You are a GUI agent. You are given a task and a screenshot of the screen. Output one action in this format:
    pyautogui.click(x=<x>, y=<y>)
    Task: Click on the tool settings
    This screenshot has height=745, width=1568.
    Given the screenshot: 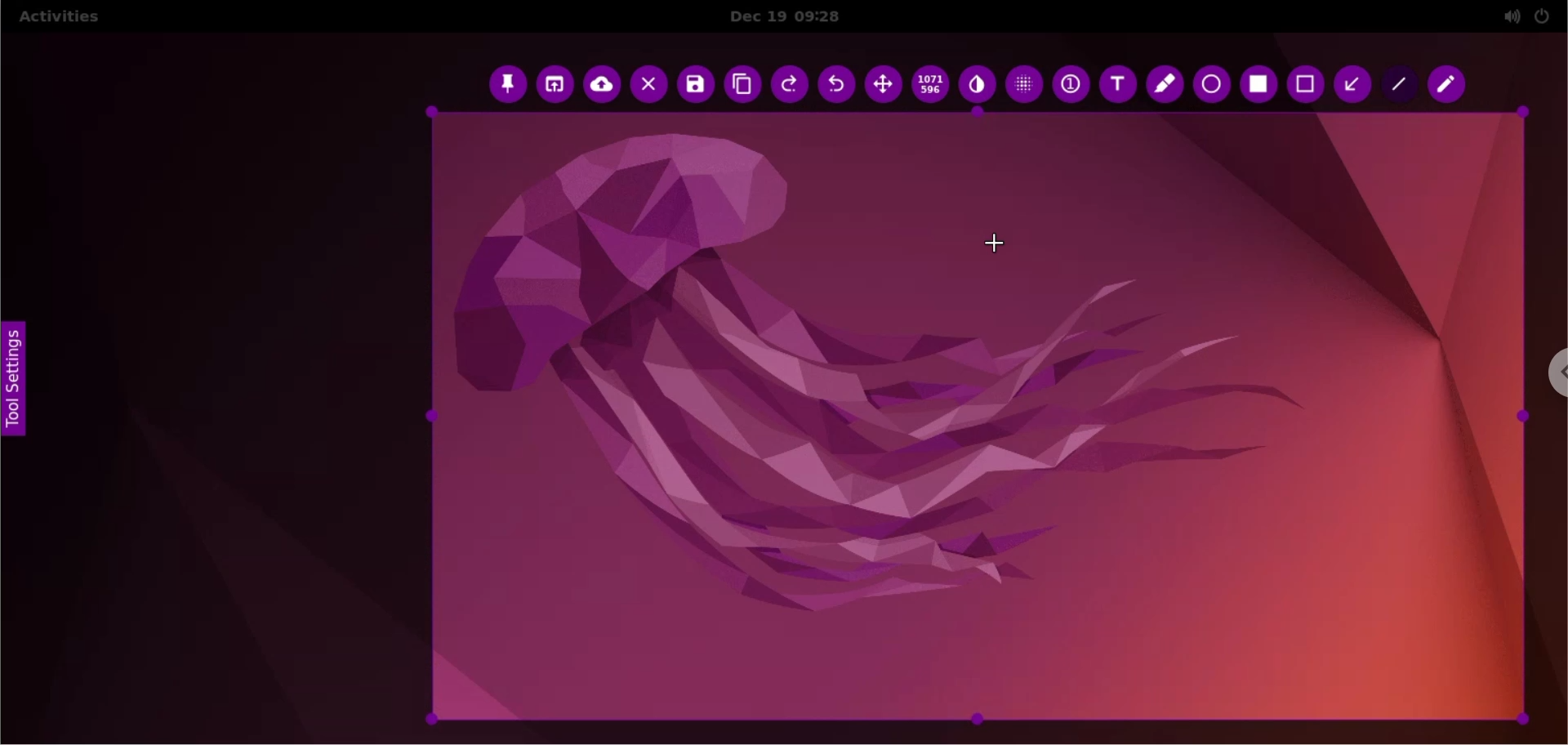 What is the action you would take?
    pyautogui.click(x=19, y=384)
    